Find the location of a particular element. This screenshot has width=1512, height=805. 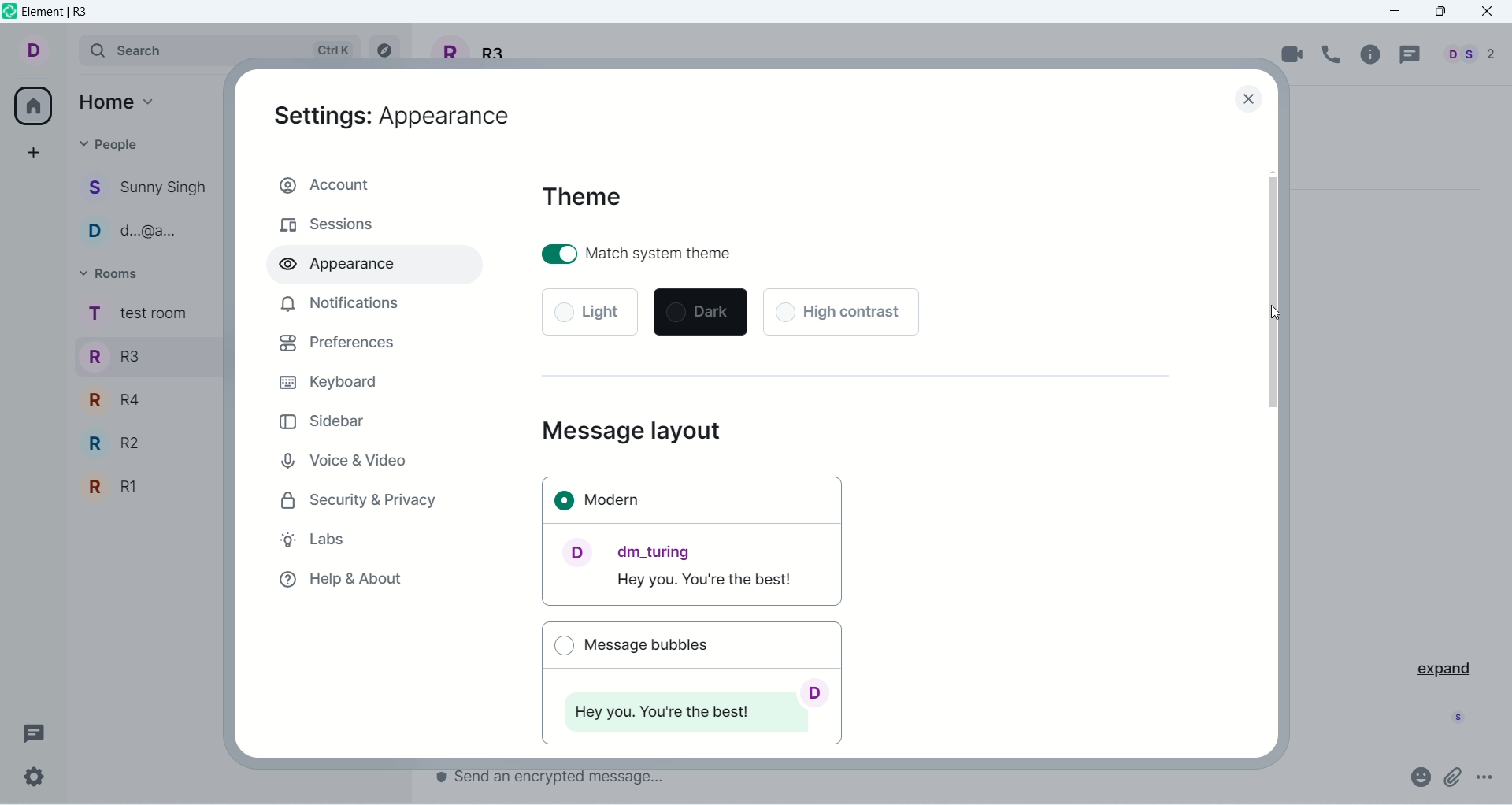

dark is located at coordinates (701, 311).